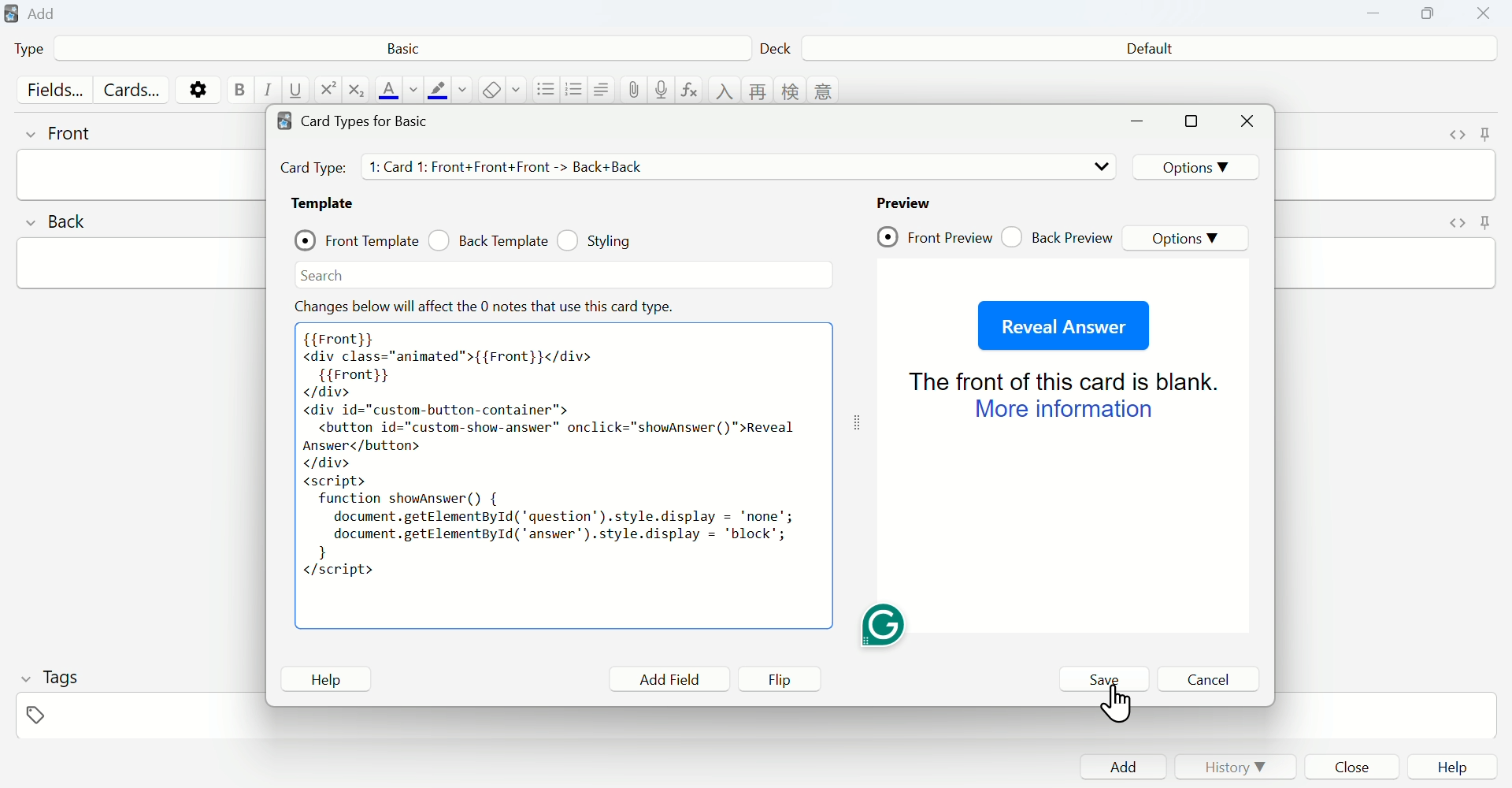 The height and width of the screenshot is (788, 1512). What do you see at coordinates (1453, 767) in the screenshot?
I see `Help` at bounding box center [1453, 767].